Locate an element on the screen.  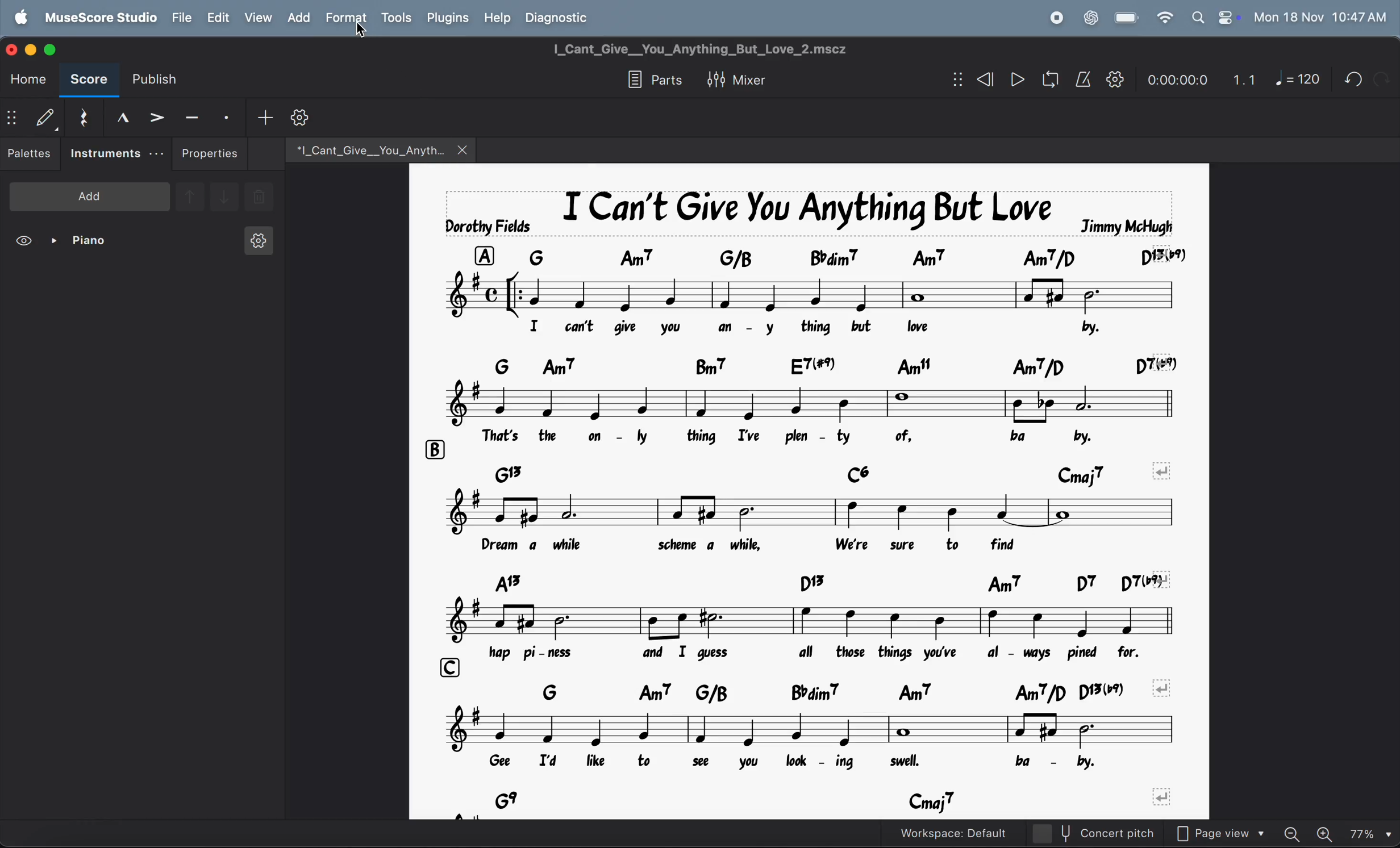
add is located at coordinates (90, 195).